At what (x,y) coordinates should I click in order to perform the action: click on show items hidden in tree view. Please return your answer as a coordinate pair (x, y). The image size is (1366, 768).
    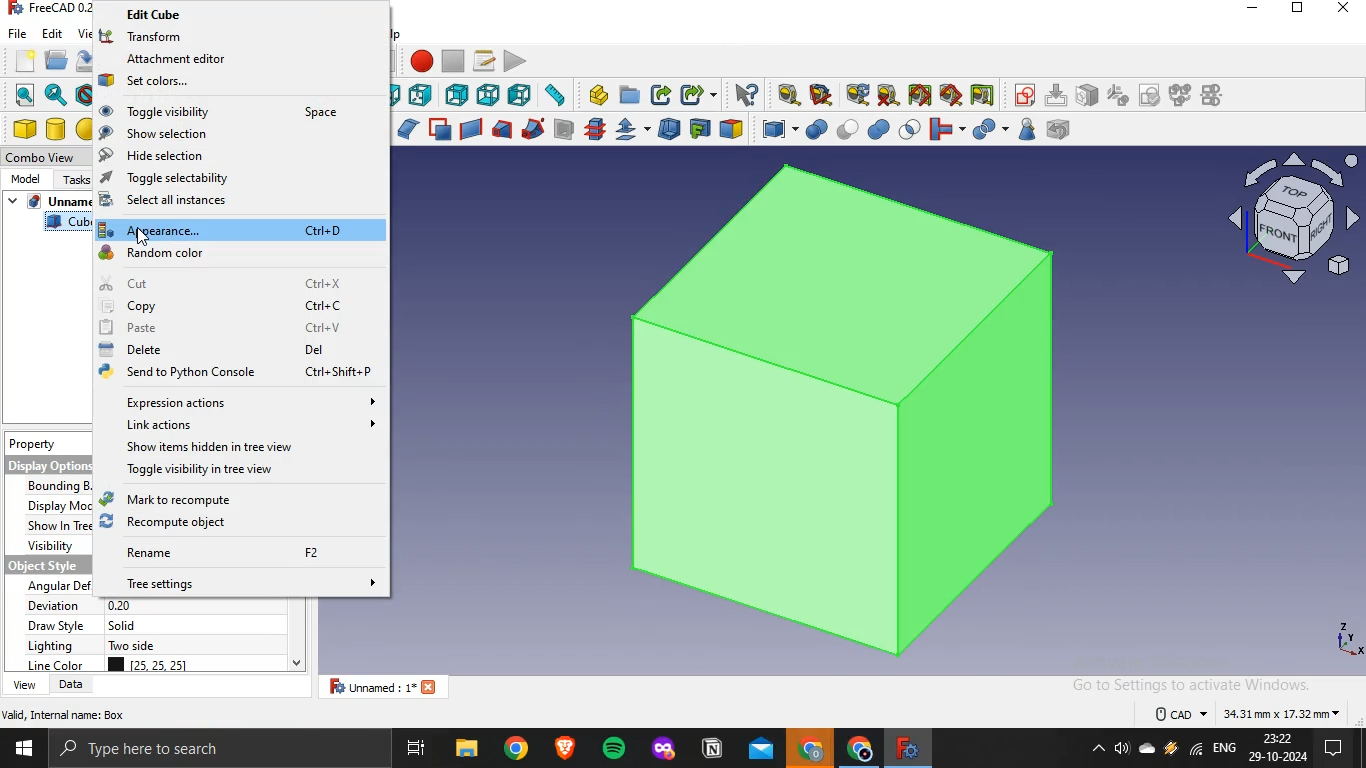
    Looking at the image, I should click on (241, 449).